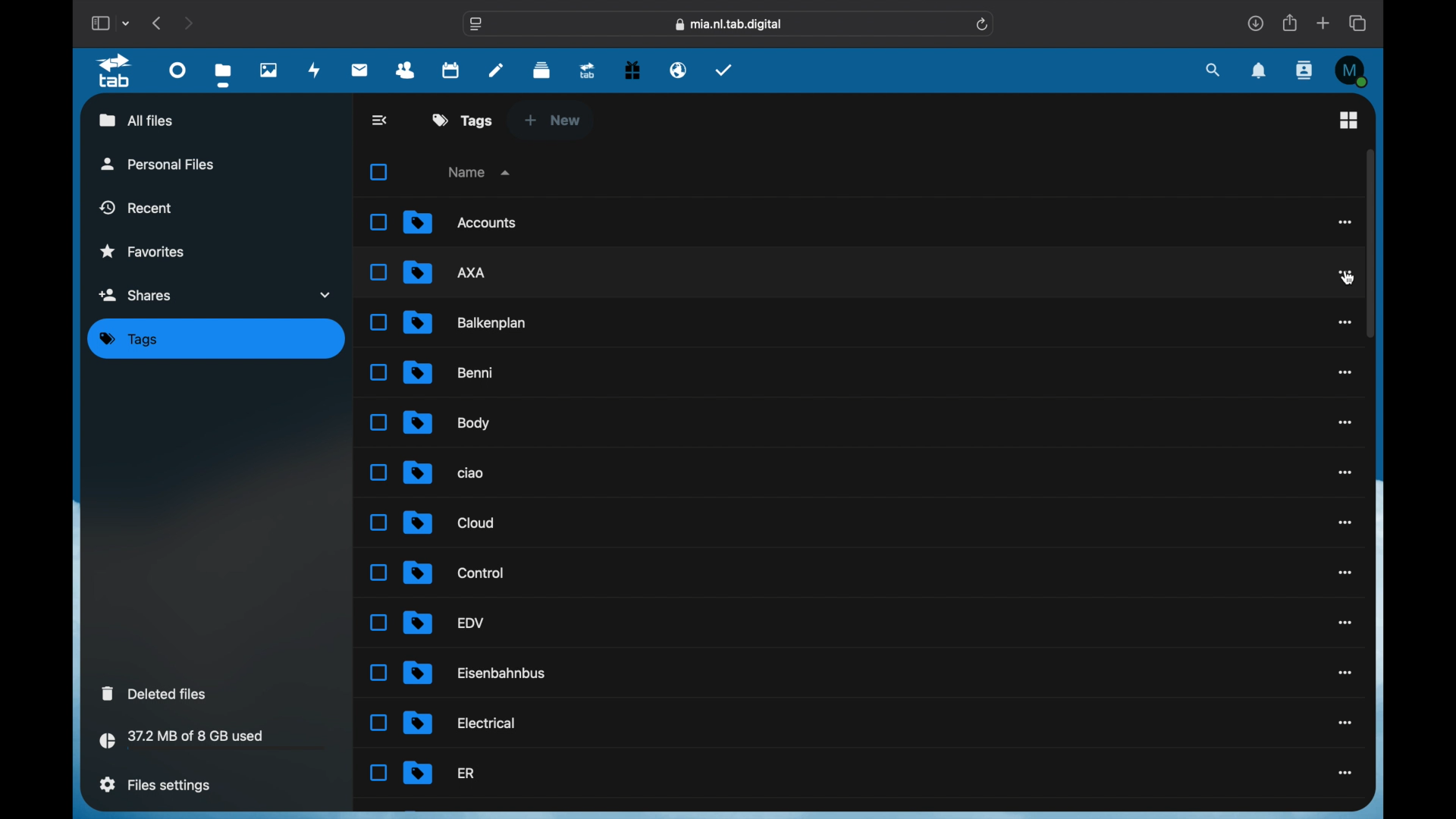 Image resolution: width=1456 pixels, height=819 pixels. What do you see at coordinates (129, 340) in the screenshot?
I see `tags` at bounding box center [129, 340].